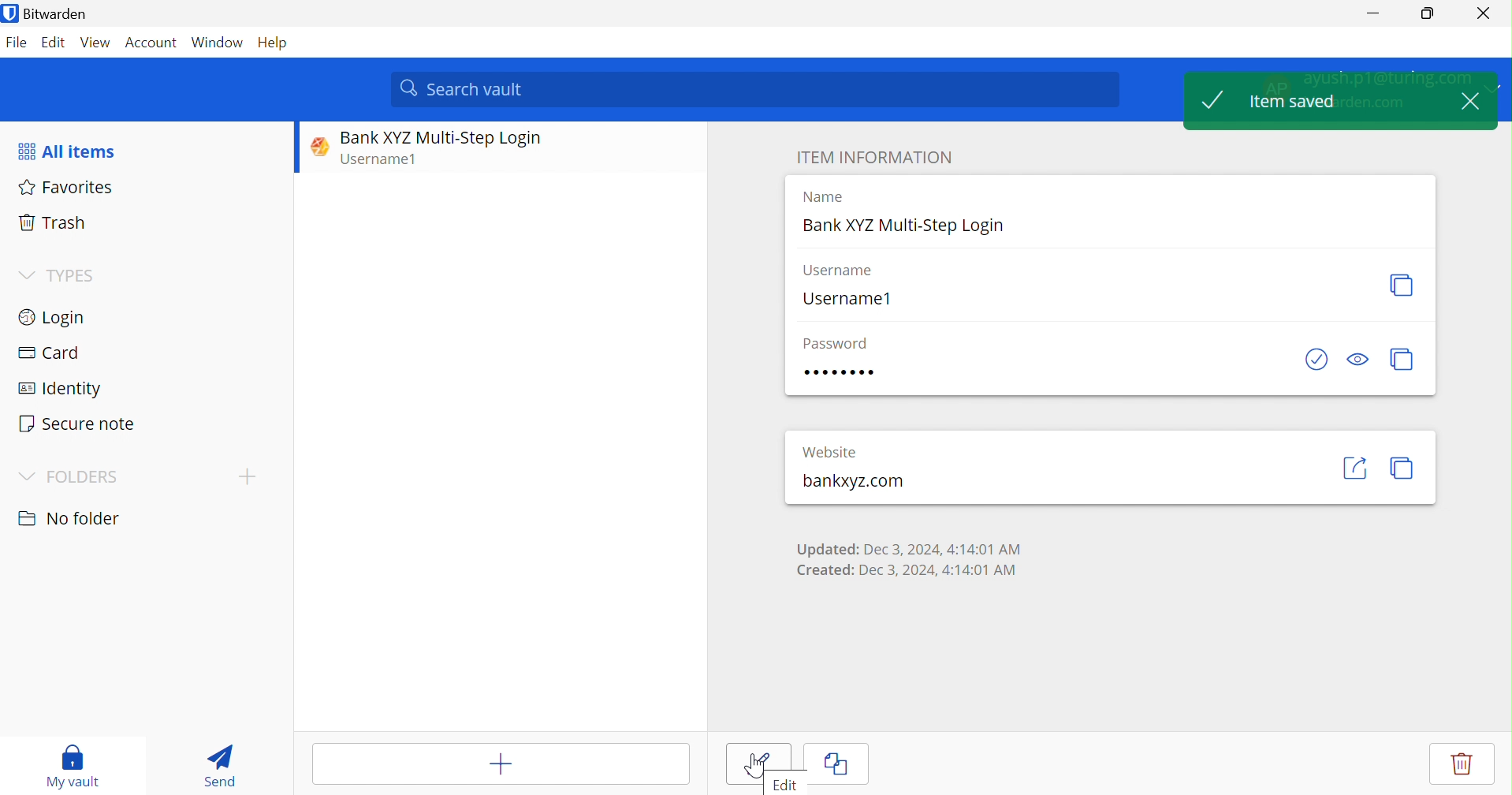 Image resolution: width=1512 pixels, height=795 pixels. I want to click on Search vault, so click(758, 88).